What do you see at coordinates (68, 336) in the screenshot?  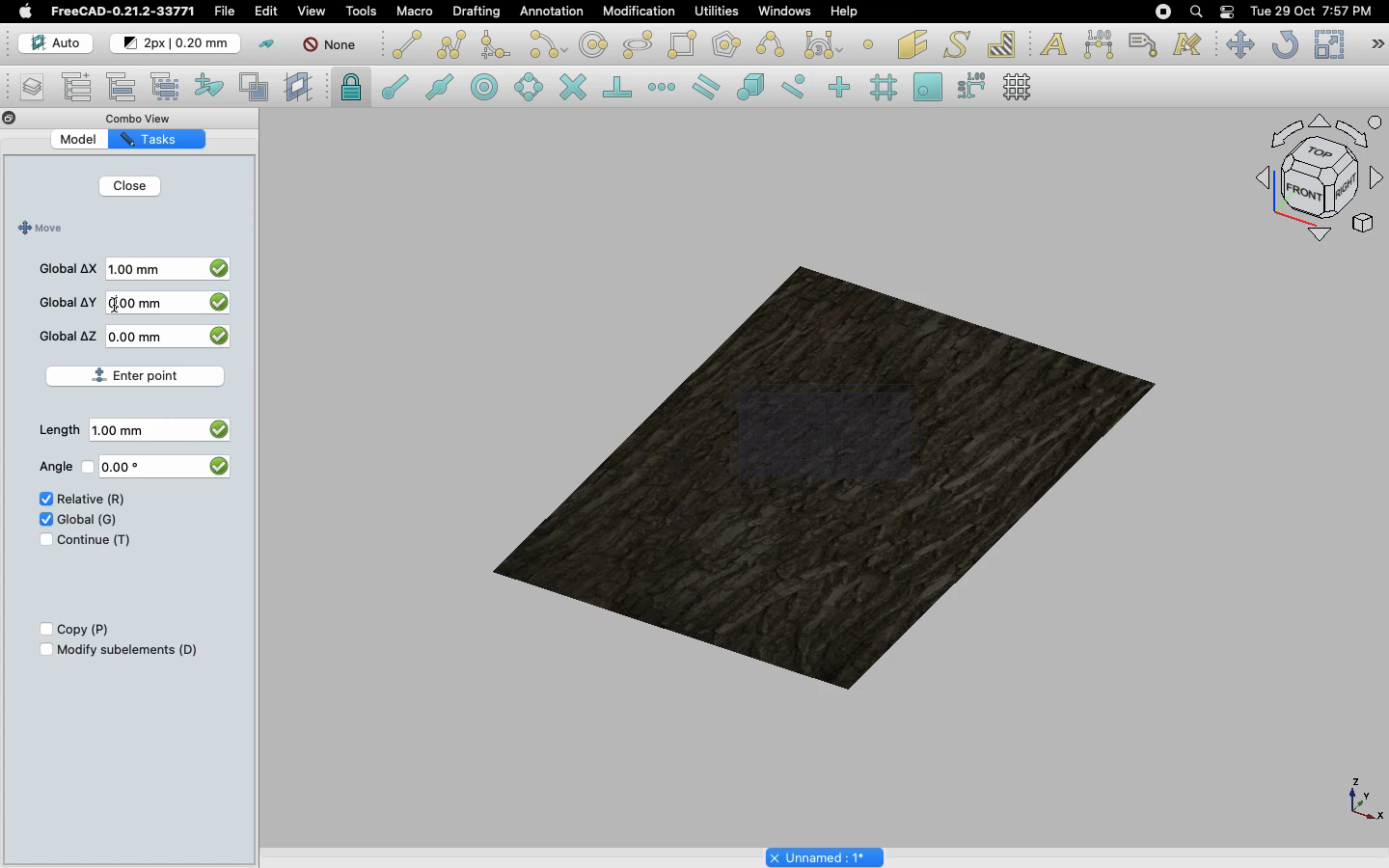 I see `Global Z` at bounding box center [68, 336].